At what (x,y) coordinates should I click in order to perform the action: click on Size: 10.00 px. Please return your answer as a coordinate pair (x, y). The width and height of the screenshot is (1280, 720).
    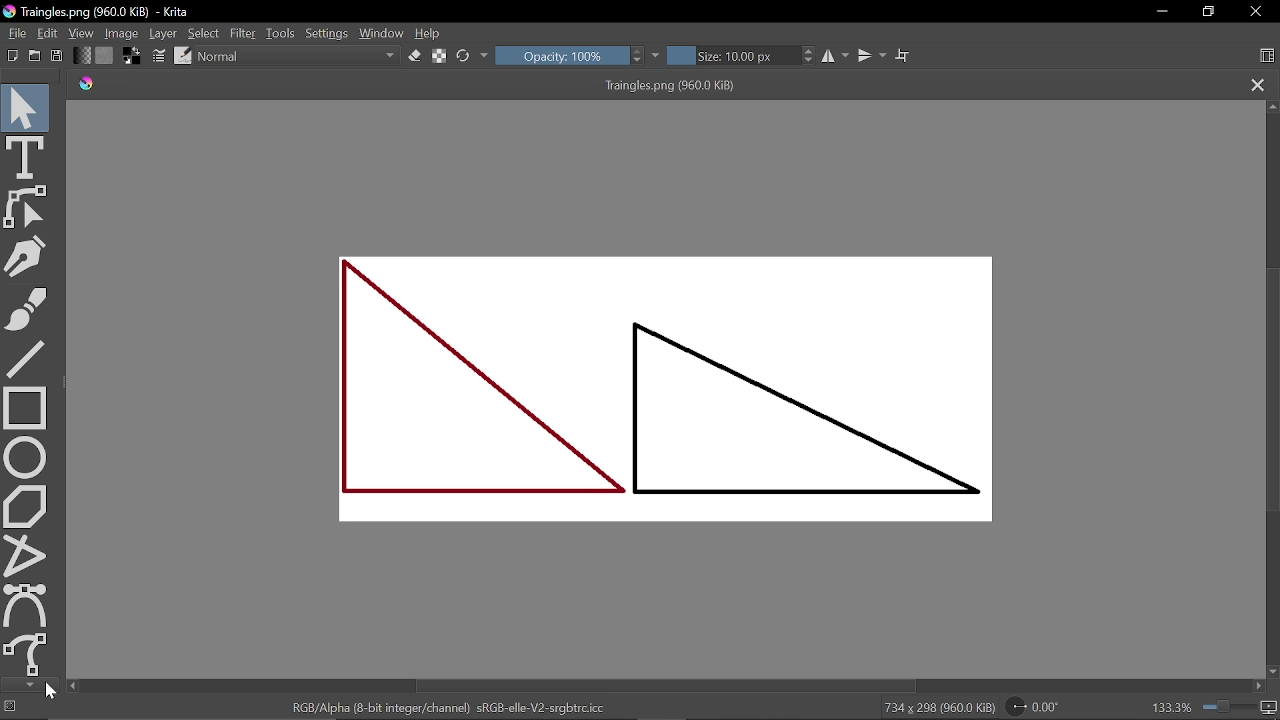
    Looking at the image, I should click on (741, 56).